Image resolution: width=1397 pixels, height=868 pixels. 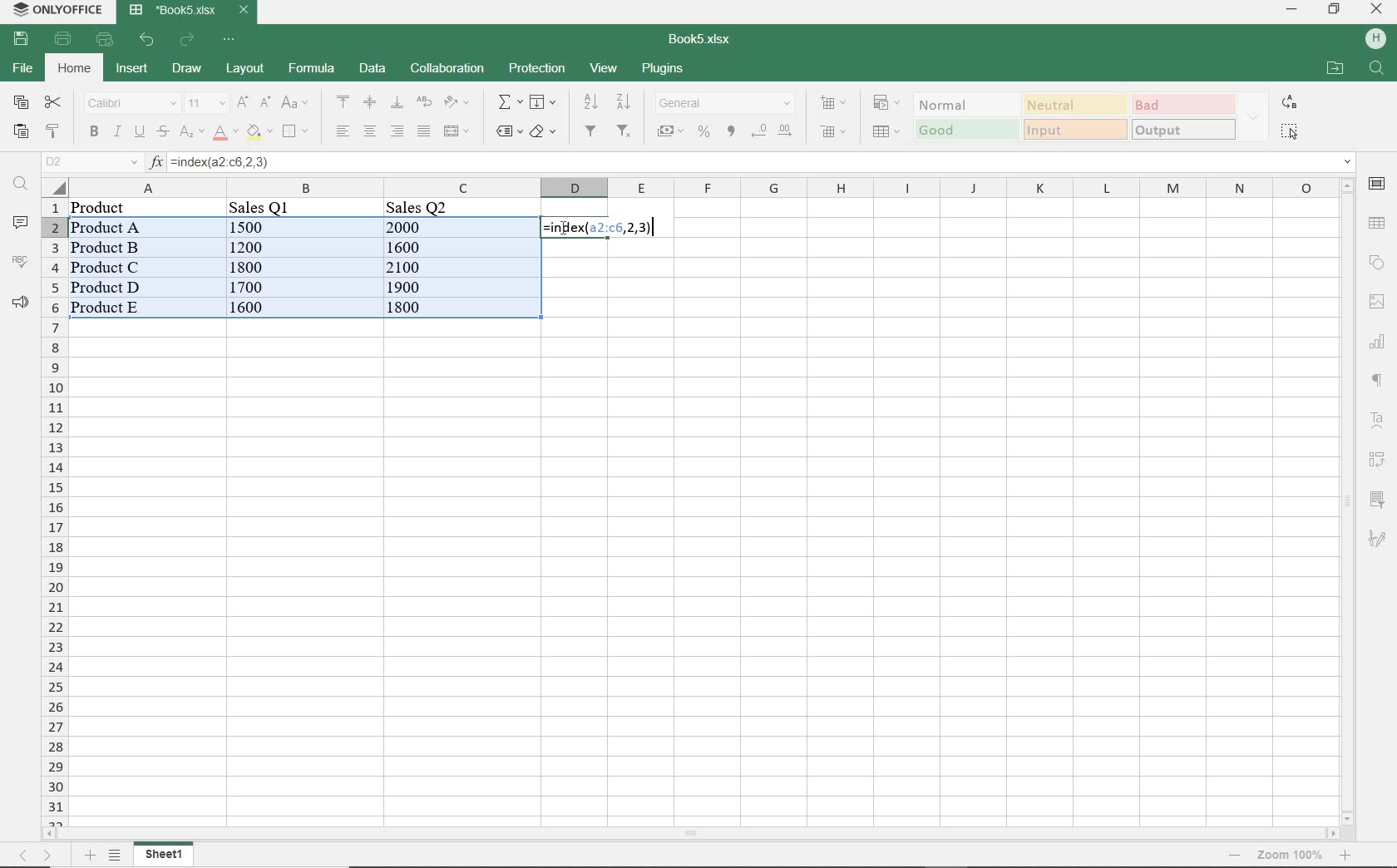 What do you see at coordinates (131, 69) in the screenshot?
I see `insert` at bounding box center [131, 69].